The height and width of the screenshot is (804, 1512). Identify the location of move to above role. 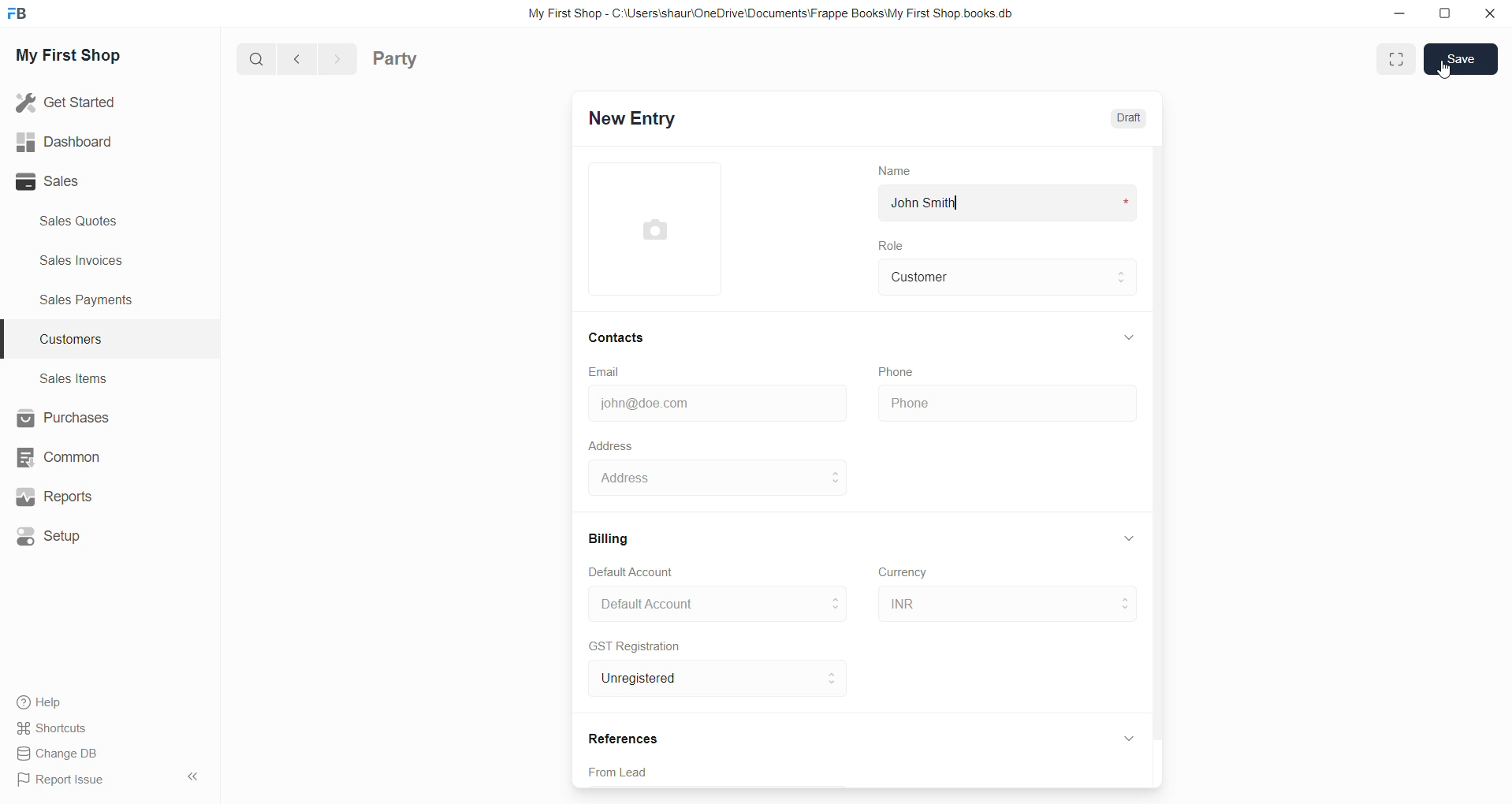
(1124, 270).